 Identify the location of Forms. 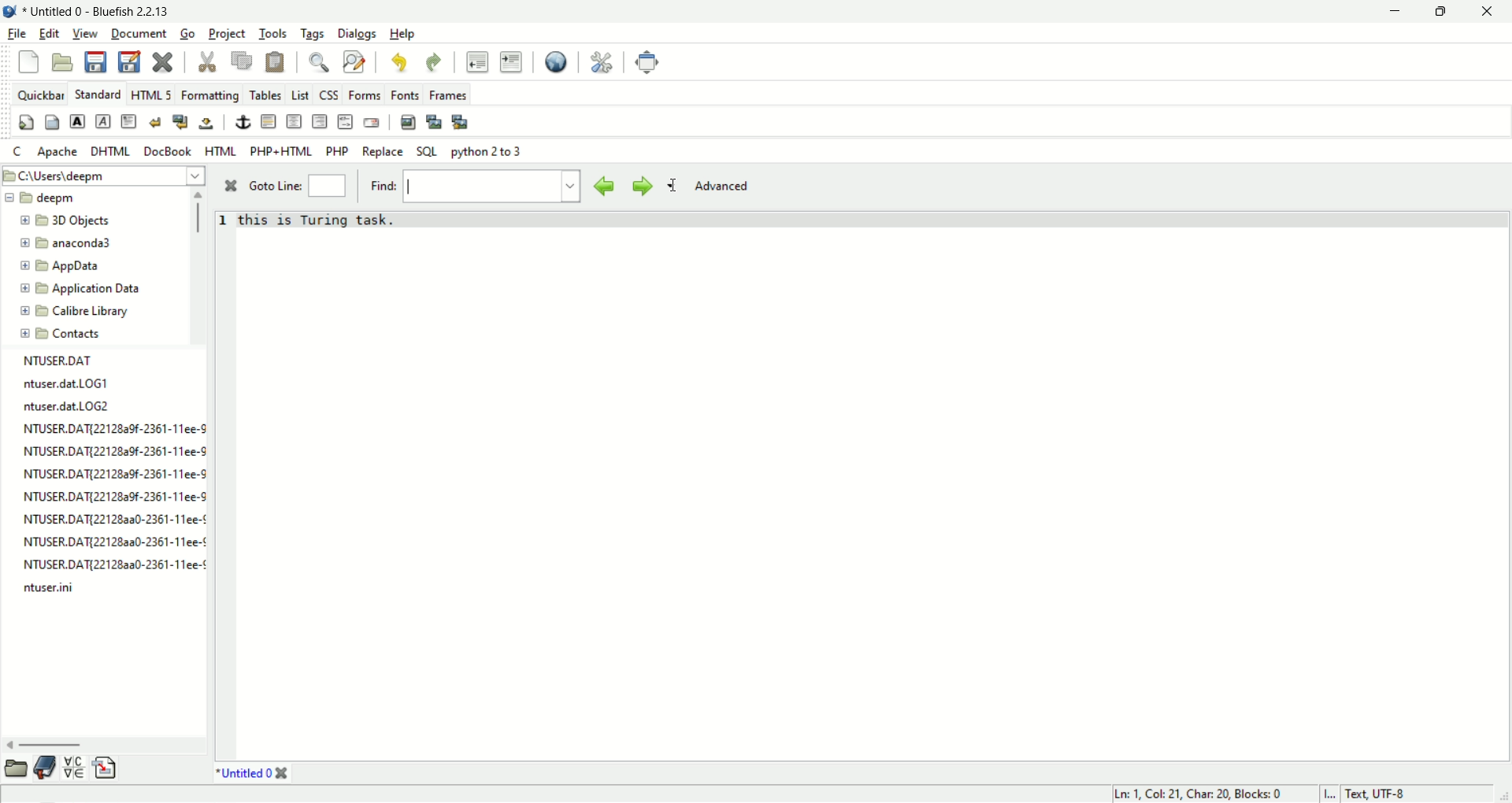
(365, 95).